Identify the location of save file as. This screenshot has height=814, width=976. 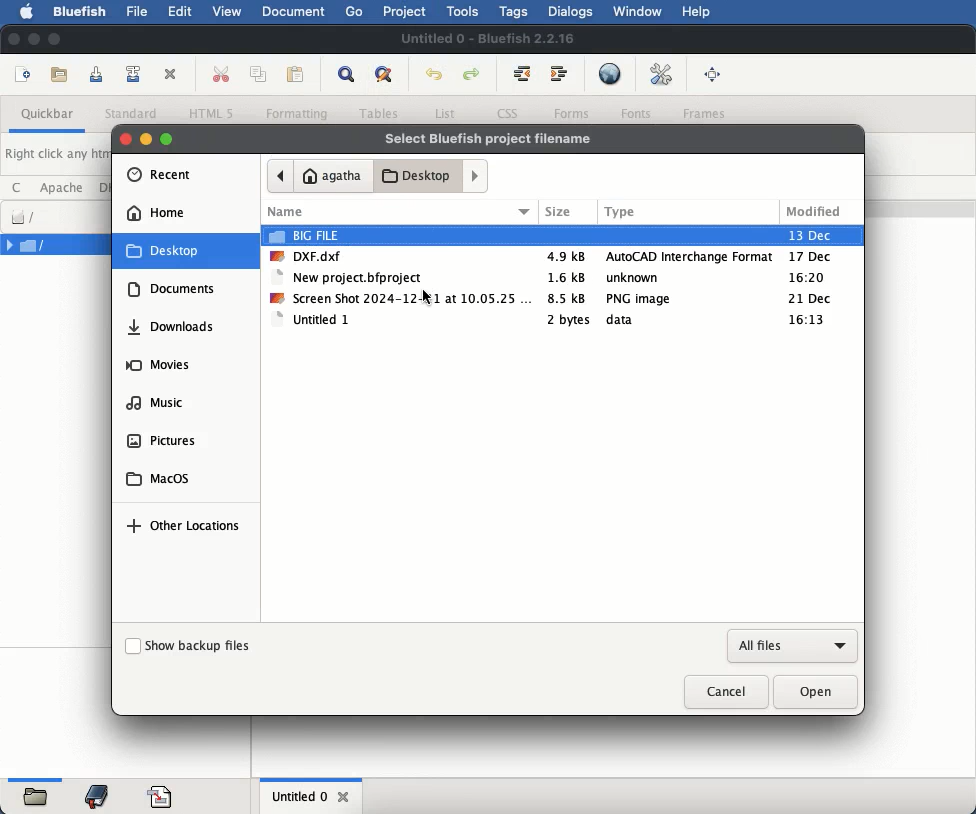
(135, 74).